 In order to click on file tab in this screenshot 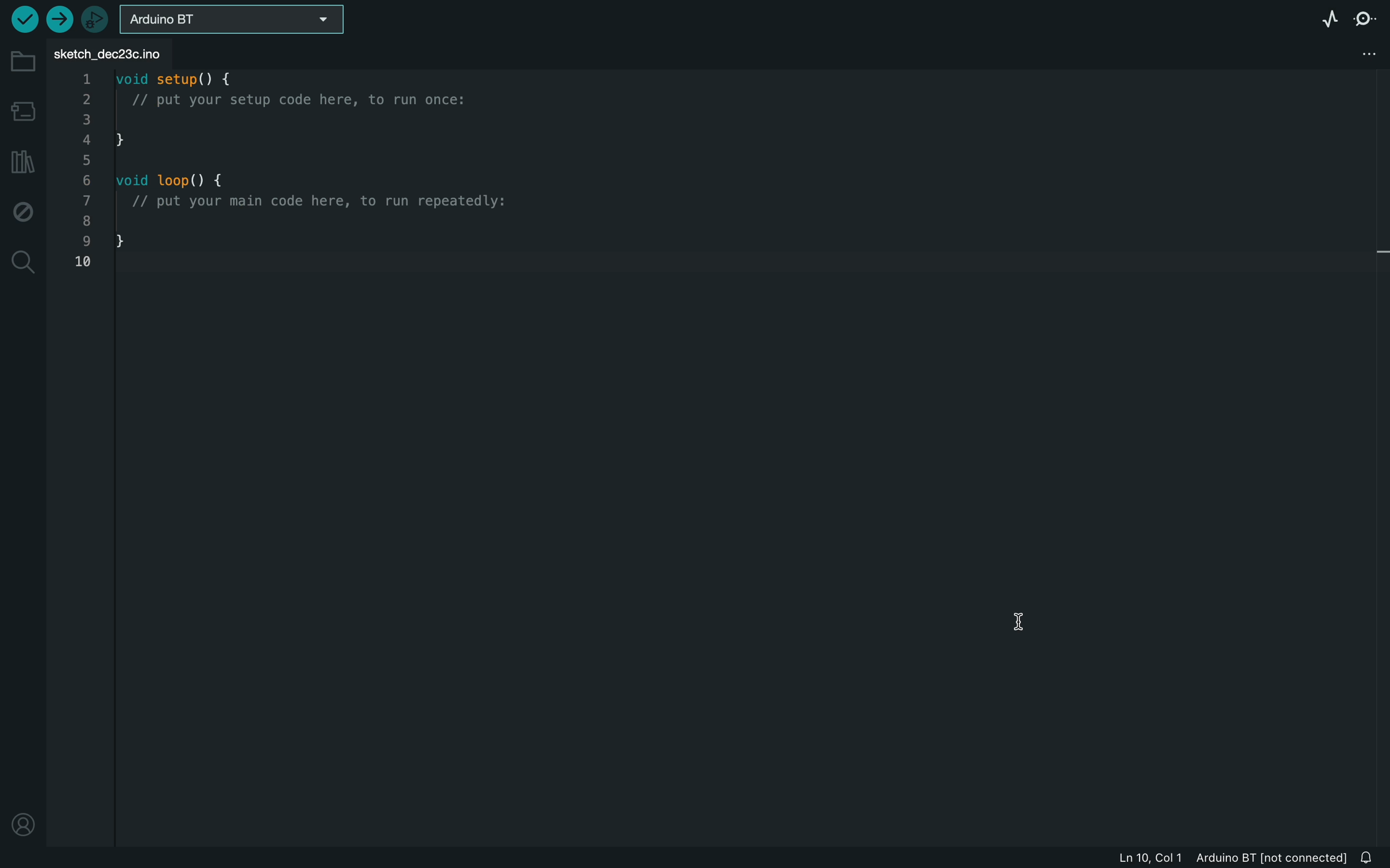, I will do `click(132, 51)`.